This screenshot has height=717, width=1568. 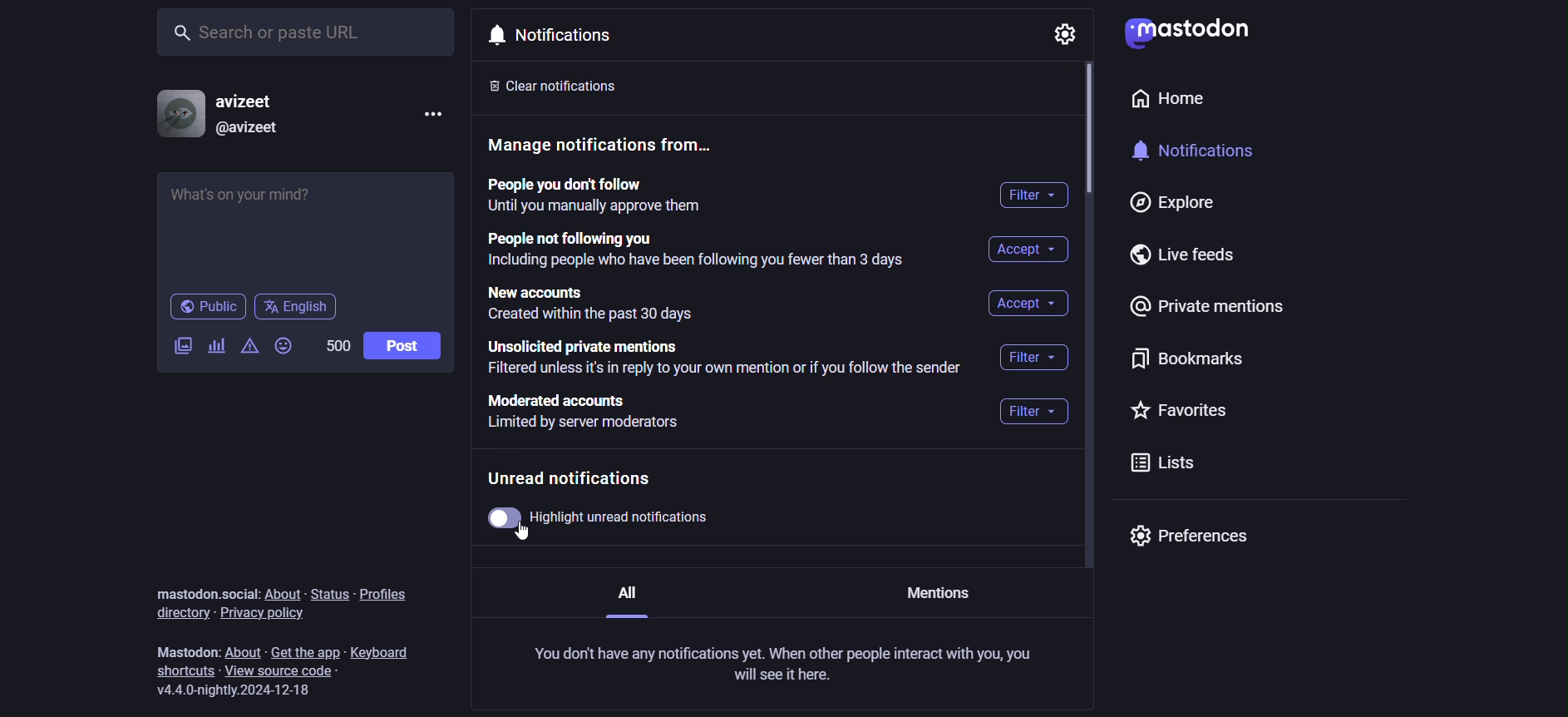 I want to click on live feeds, so click(x=1190, y=255).